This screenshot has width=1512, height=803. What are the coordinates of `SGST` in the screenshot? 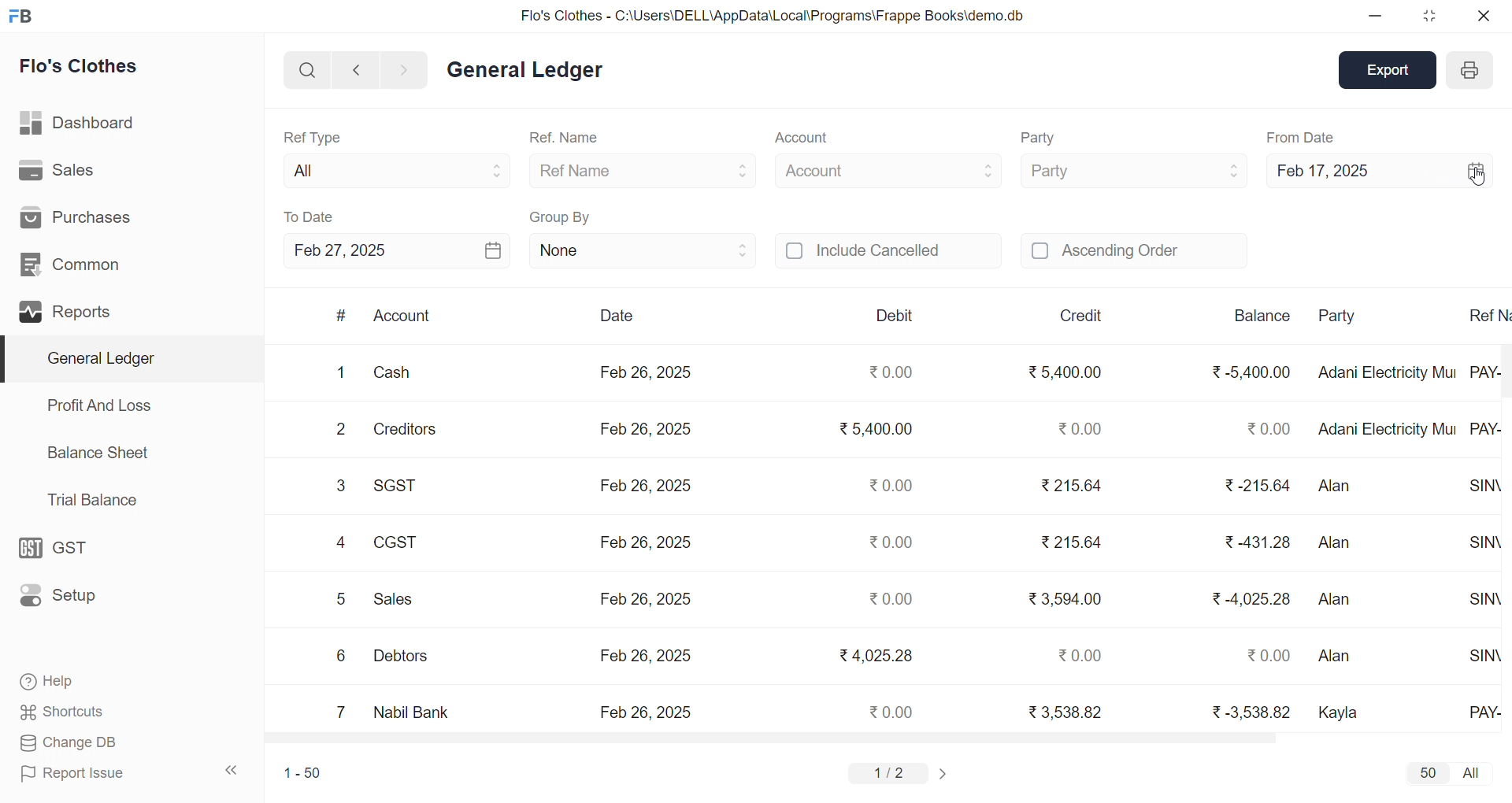 It's located at (400, 484).